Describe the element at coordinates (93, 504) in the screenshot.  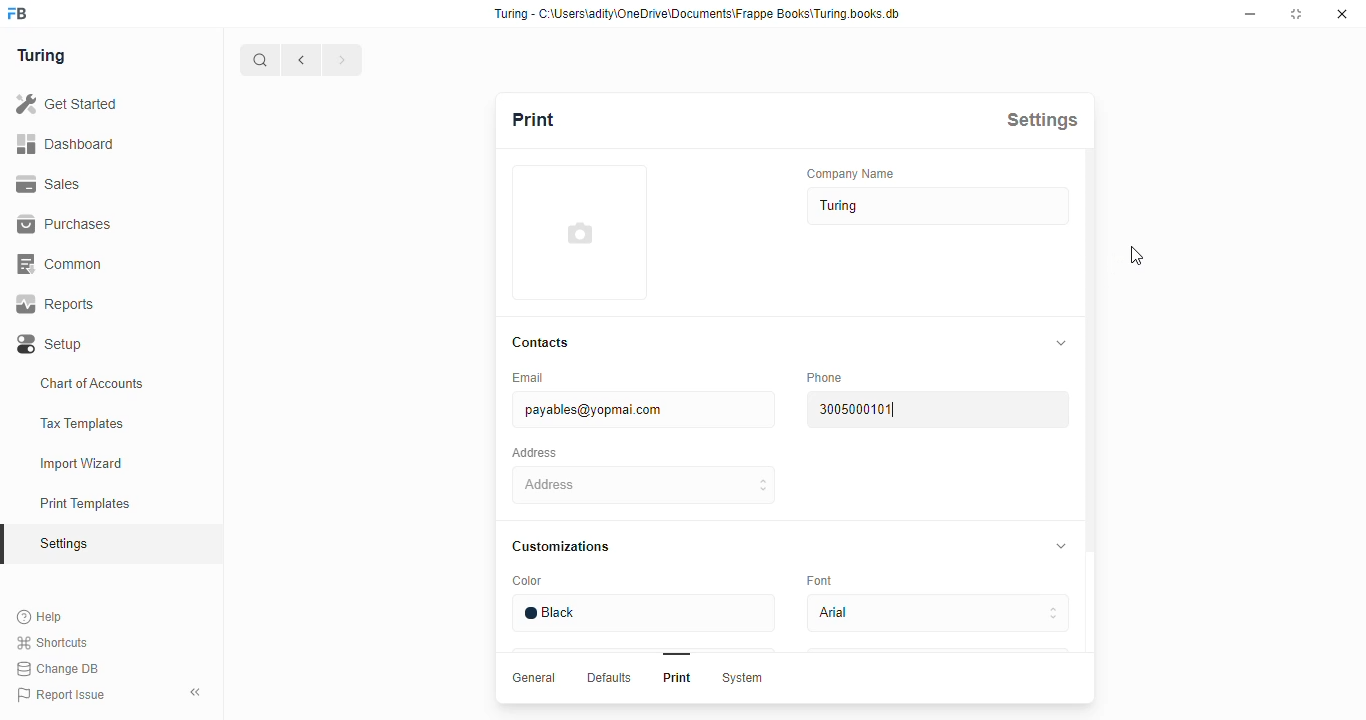
I see `Print Templates` at that location.